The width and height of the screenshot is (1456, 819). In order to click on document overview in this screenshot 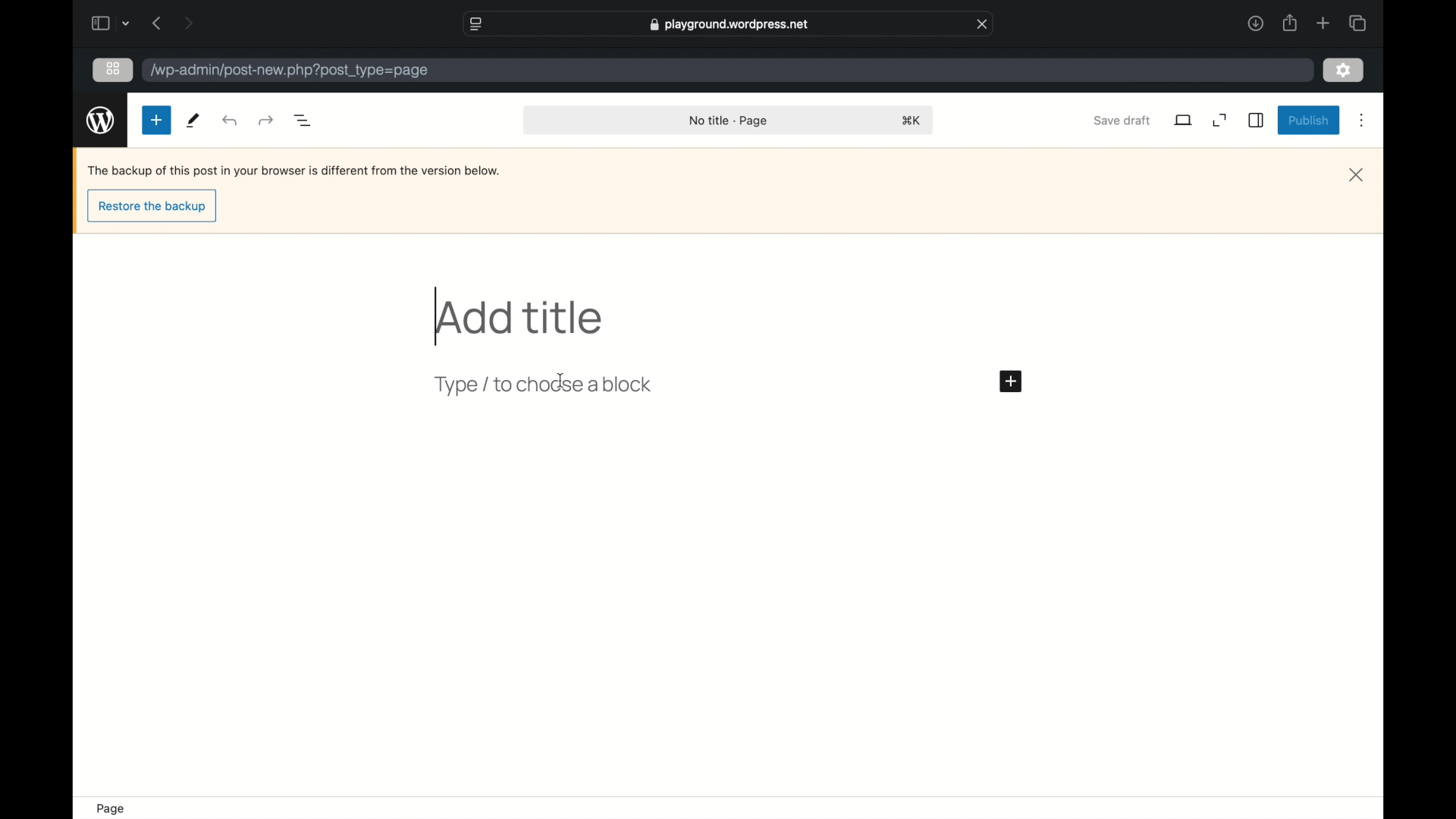, I will do `click(302, 119)`.